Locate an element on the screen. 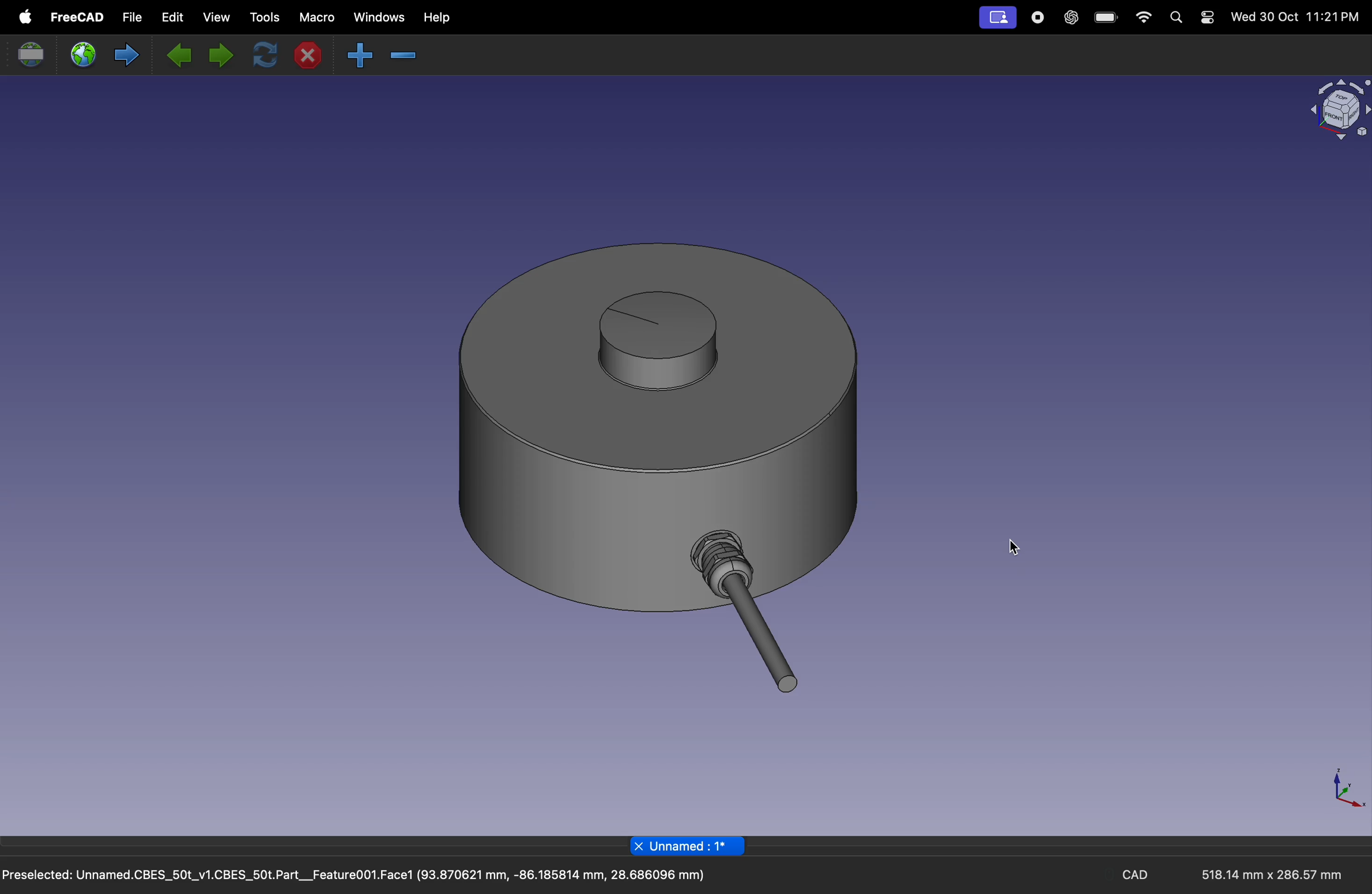 Image resolution: width=1372 pixels, height=894 pixels. zoom in is located at coordinates (407, 55).